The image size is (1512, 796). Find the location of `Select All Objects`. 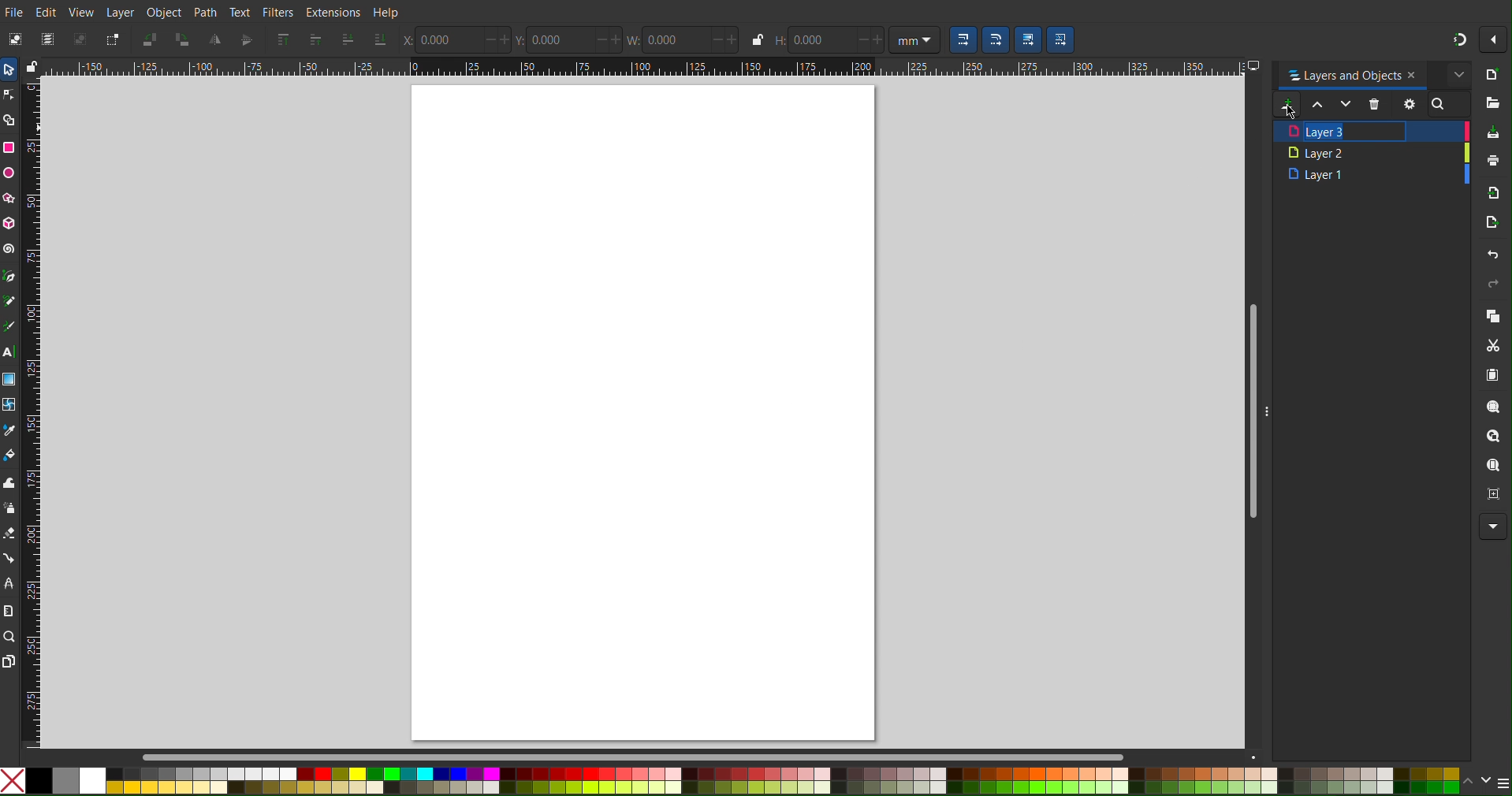

Select All Objects is located at coordinates (47, 39).